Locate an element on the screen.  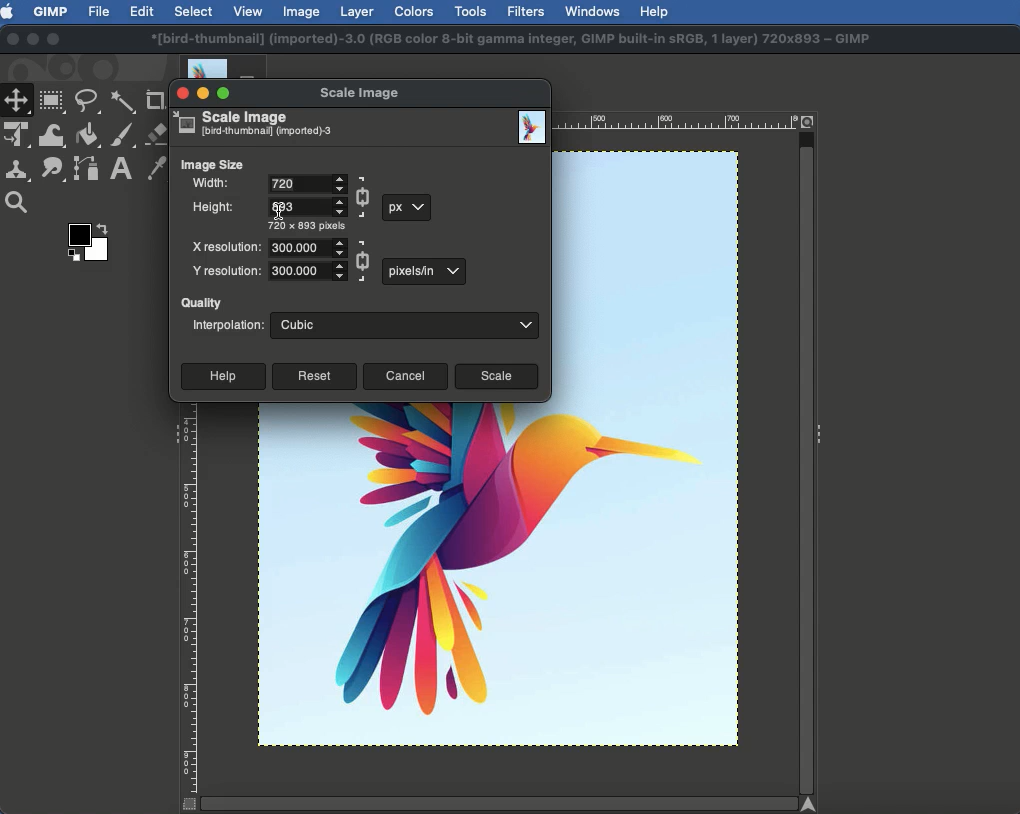
Edit is located at coordinates (141, 11).